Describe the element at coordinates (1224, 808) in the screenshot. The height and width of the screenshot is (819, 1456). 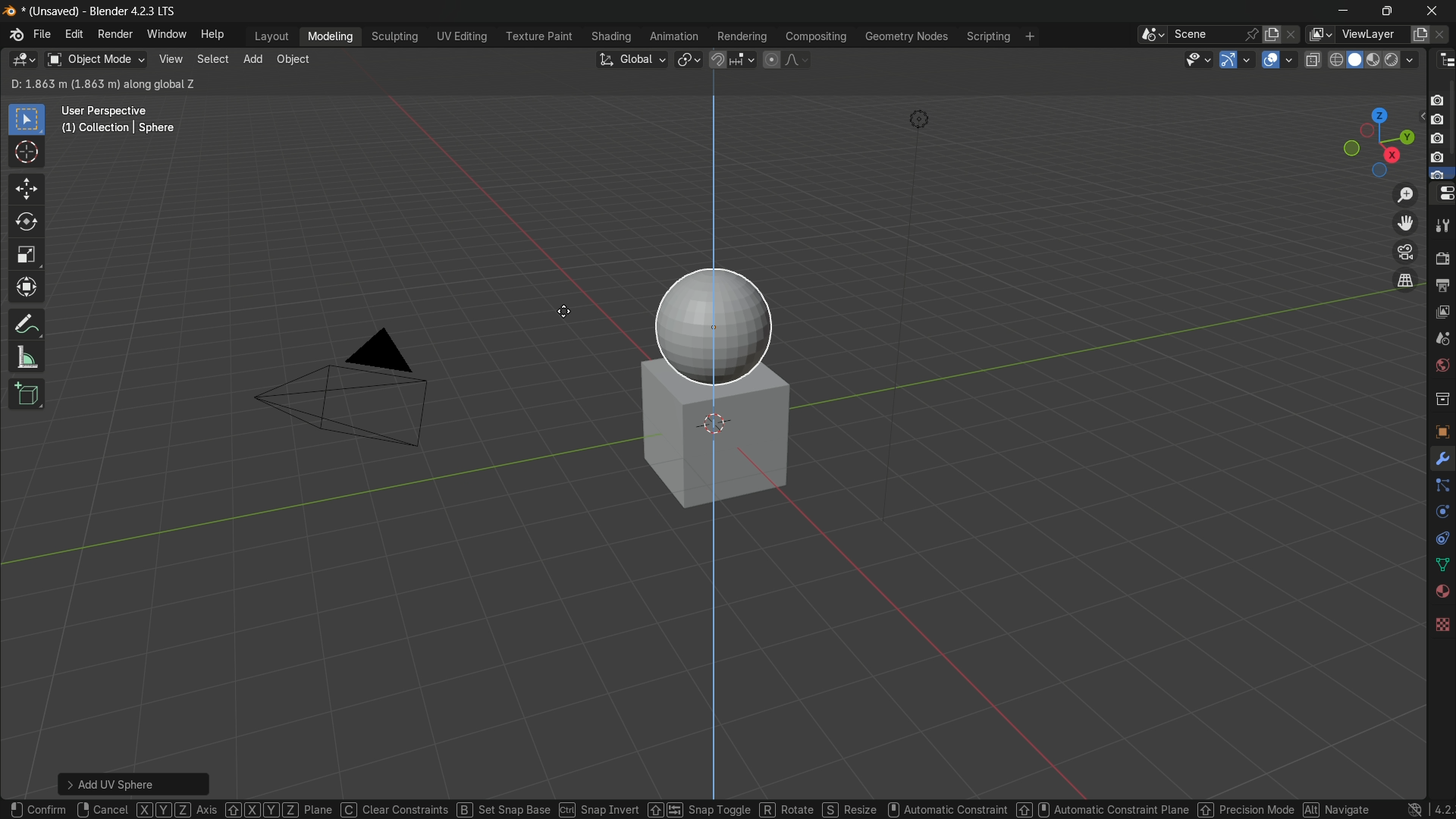
I see `Navigate` at that location.